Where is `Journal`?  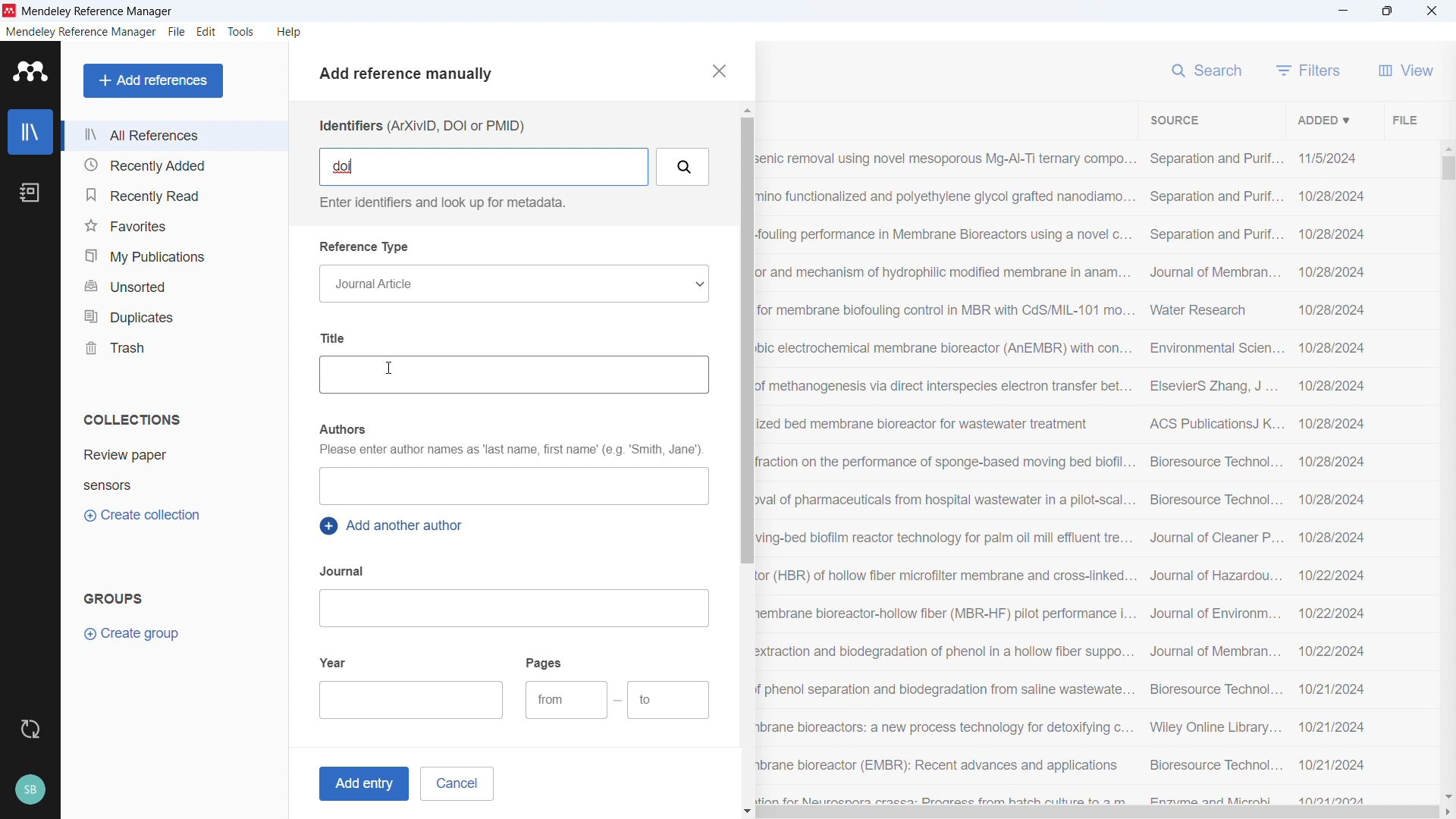 Journal is located at coordinates (344, 571).